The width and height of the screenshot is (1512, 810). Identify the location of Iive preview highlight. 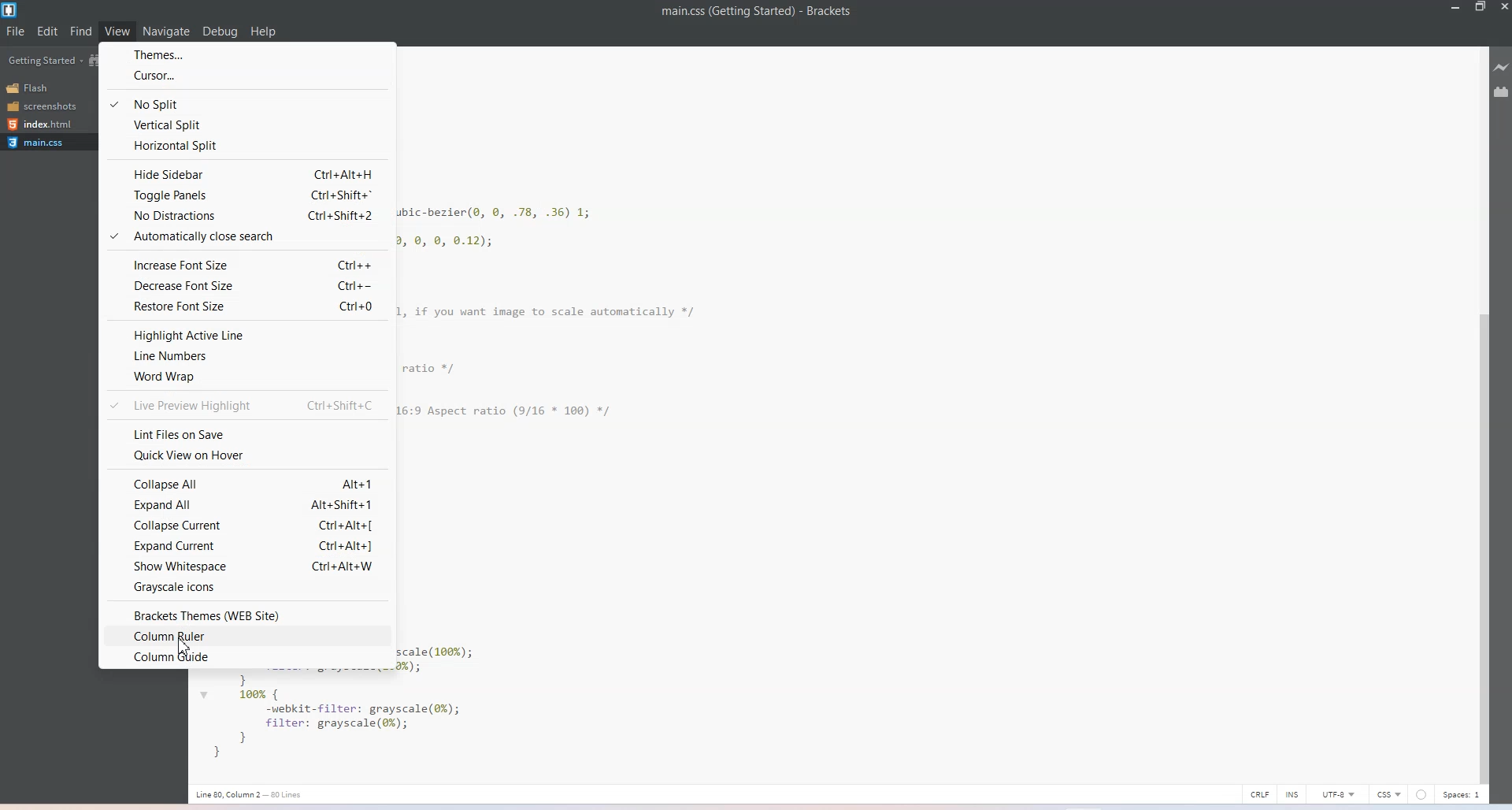
(246, 407).